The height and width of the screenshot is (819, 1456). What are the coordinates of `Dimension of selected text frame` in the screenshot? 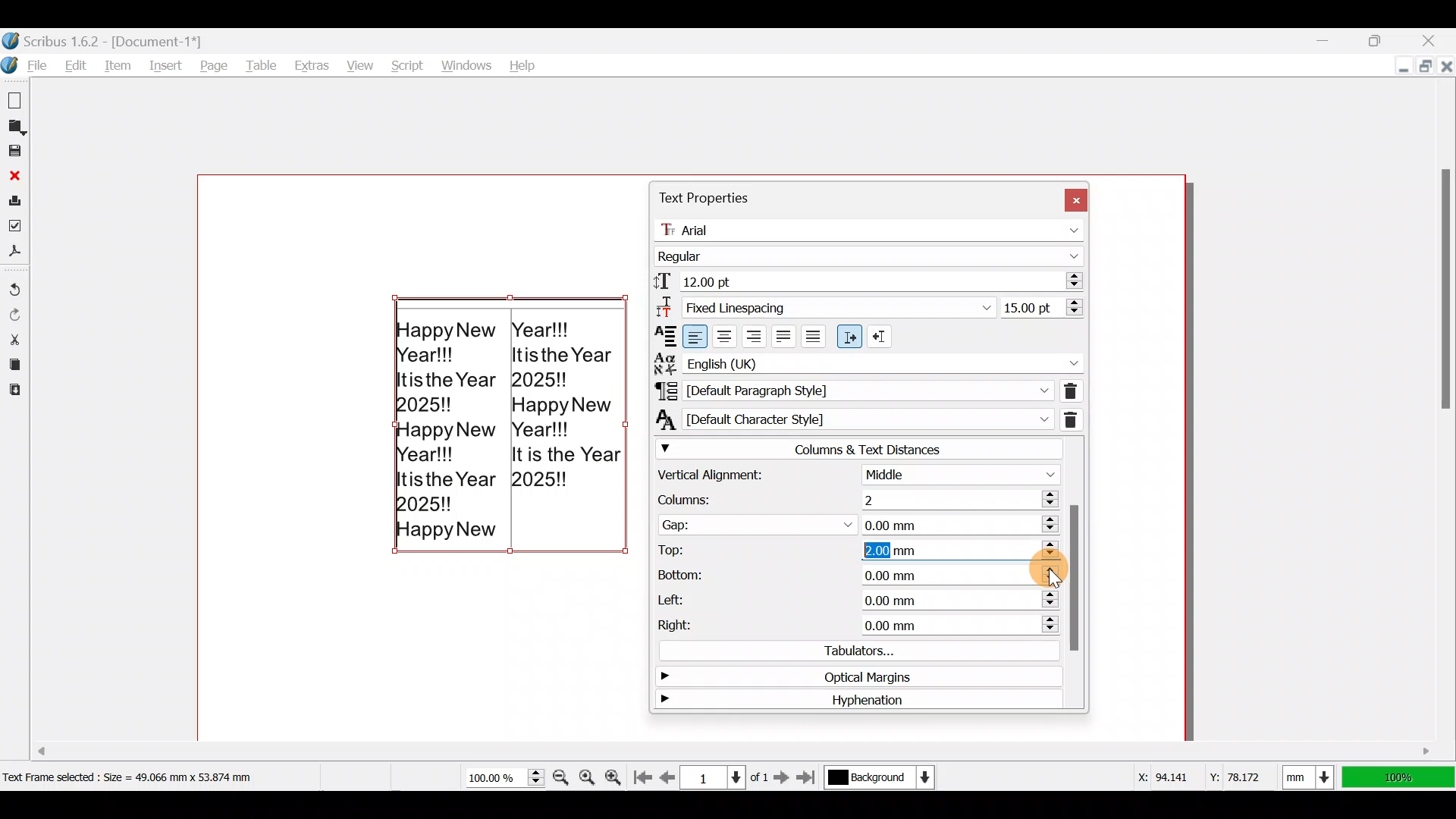 It's located at (149, 777).